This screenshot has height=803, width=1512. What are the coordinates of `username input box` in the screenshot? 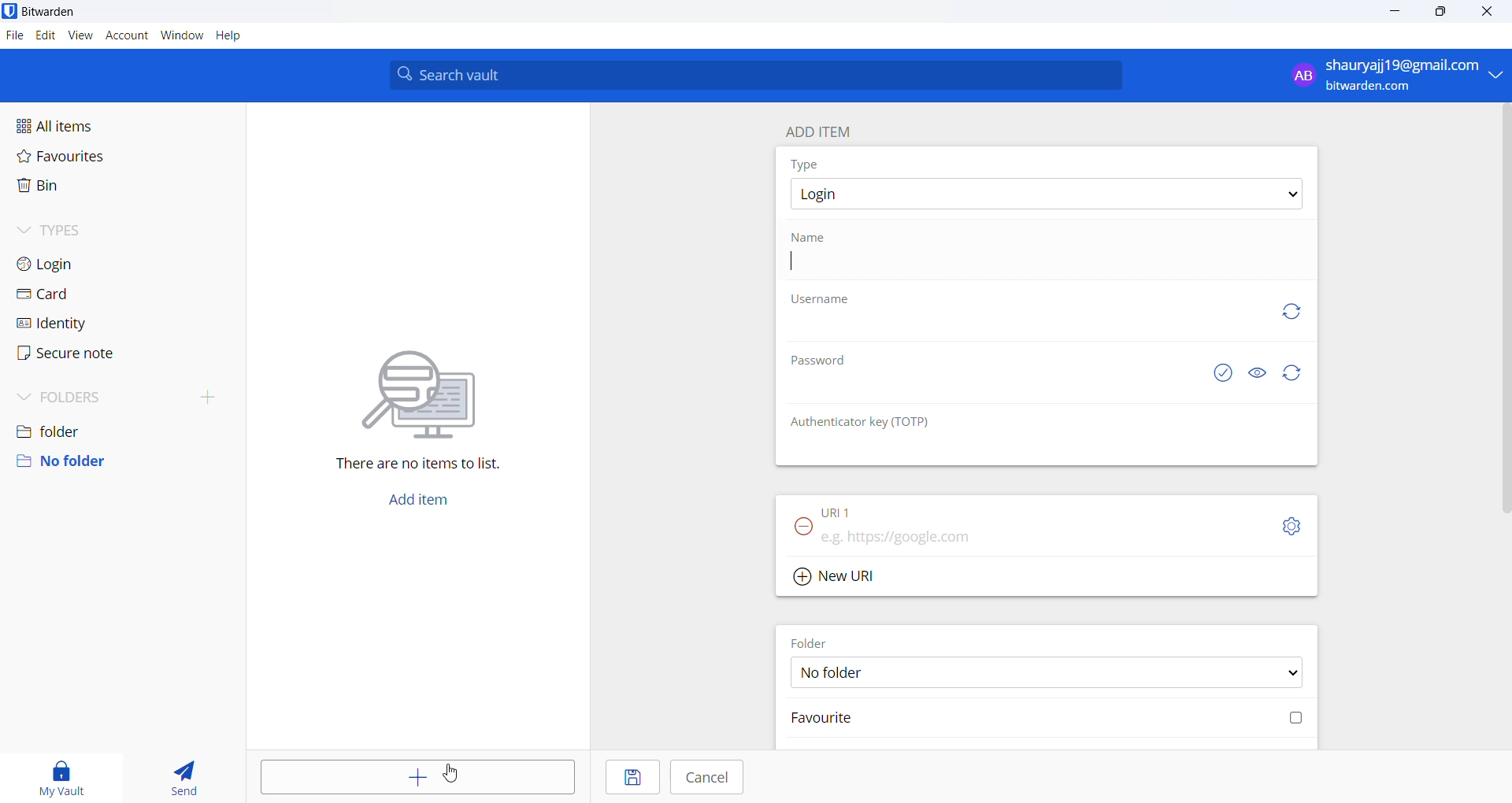 It's located at (1014, 328).